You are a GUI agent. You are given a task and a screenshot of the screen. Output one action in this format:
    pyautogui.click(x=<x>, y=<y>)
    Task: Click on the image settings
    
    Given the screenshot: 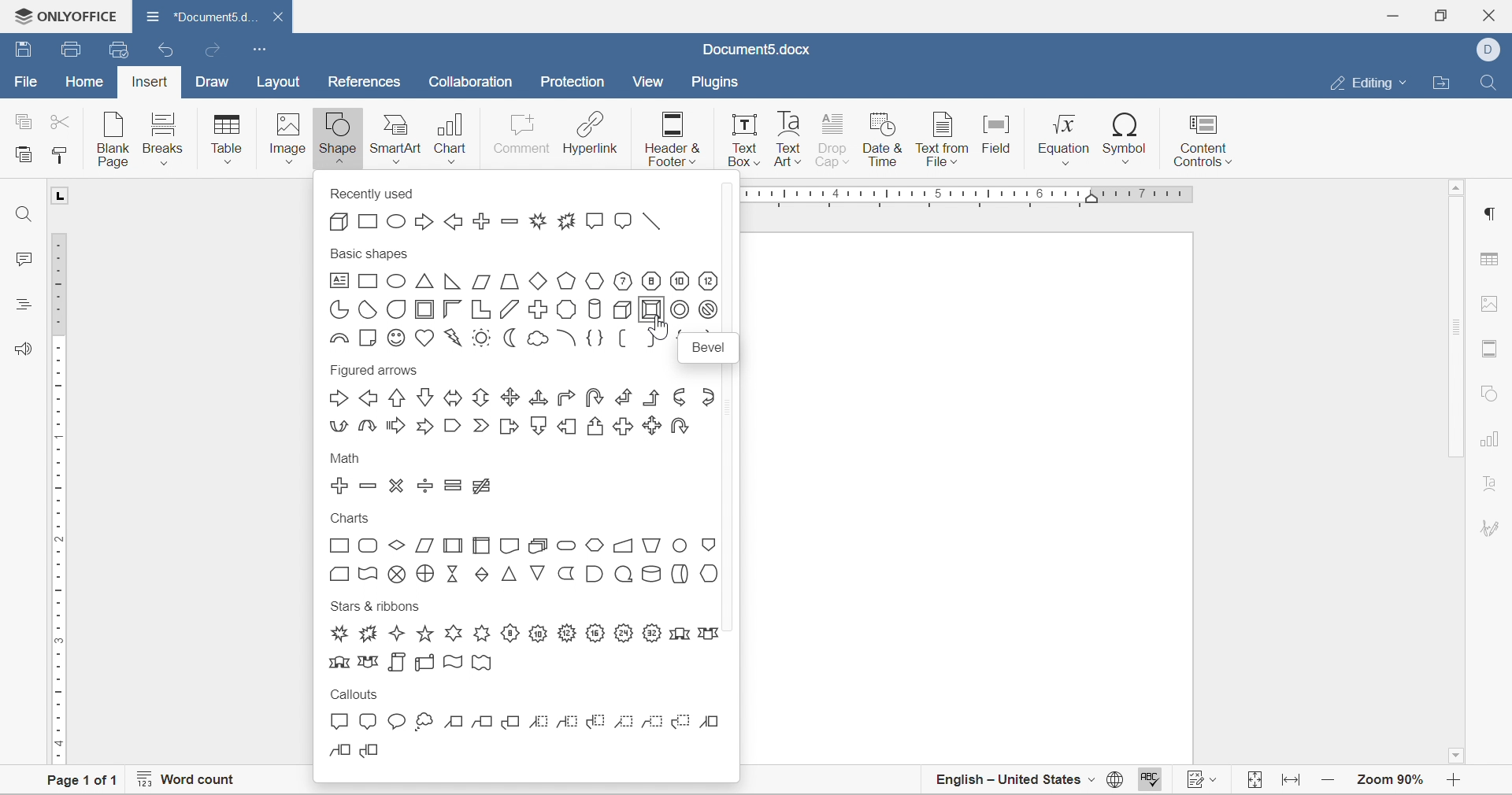 What is the action you would take?
    pyautogui.click(x=1496, y=303)
    